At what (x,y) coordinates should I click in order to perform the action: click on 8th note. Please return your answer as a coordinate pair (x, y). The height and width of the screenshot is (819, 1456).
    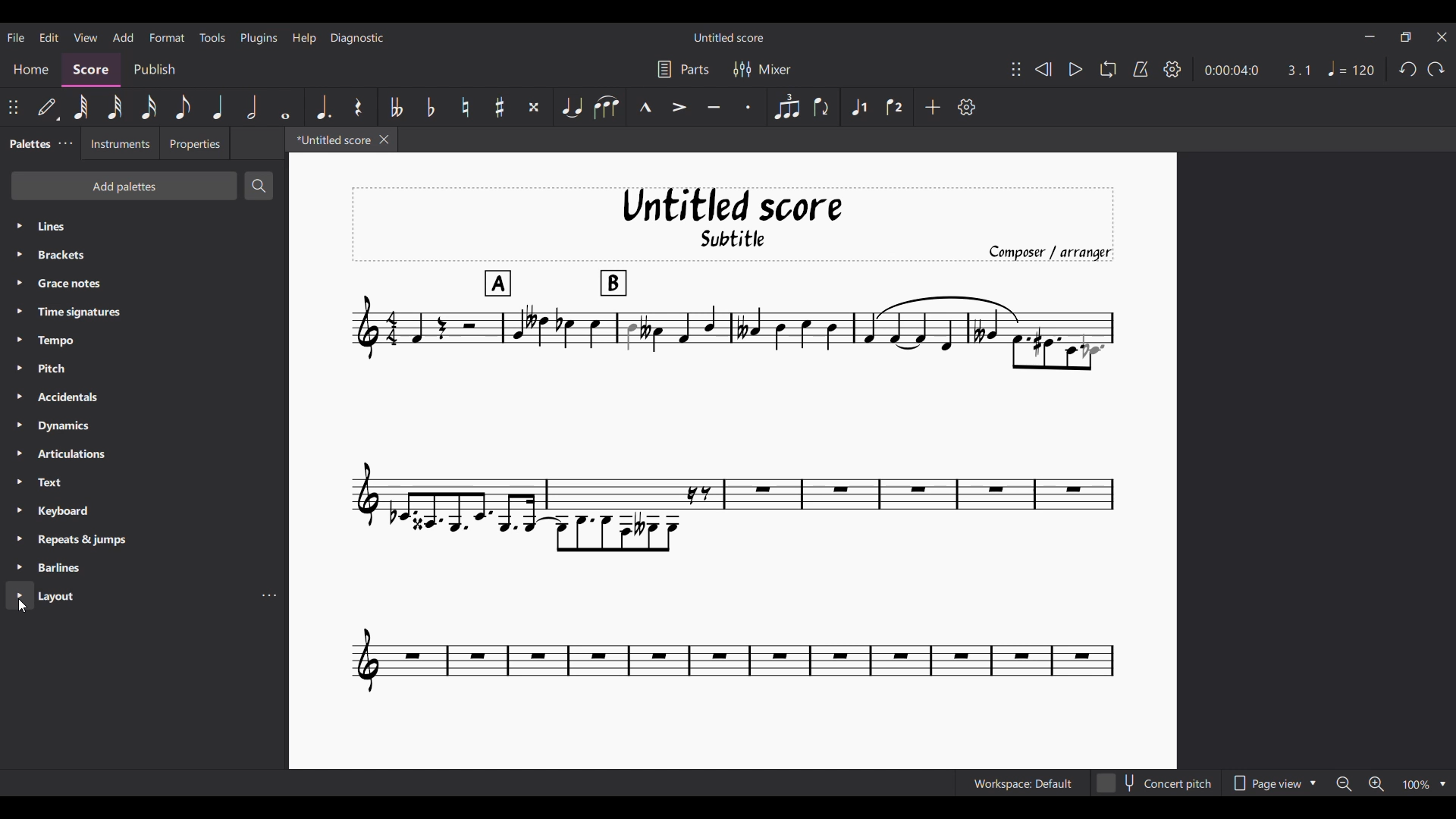
    Looking at the image, I should click on (183, 107).